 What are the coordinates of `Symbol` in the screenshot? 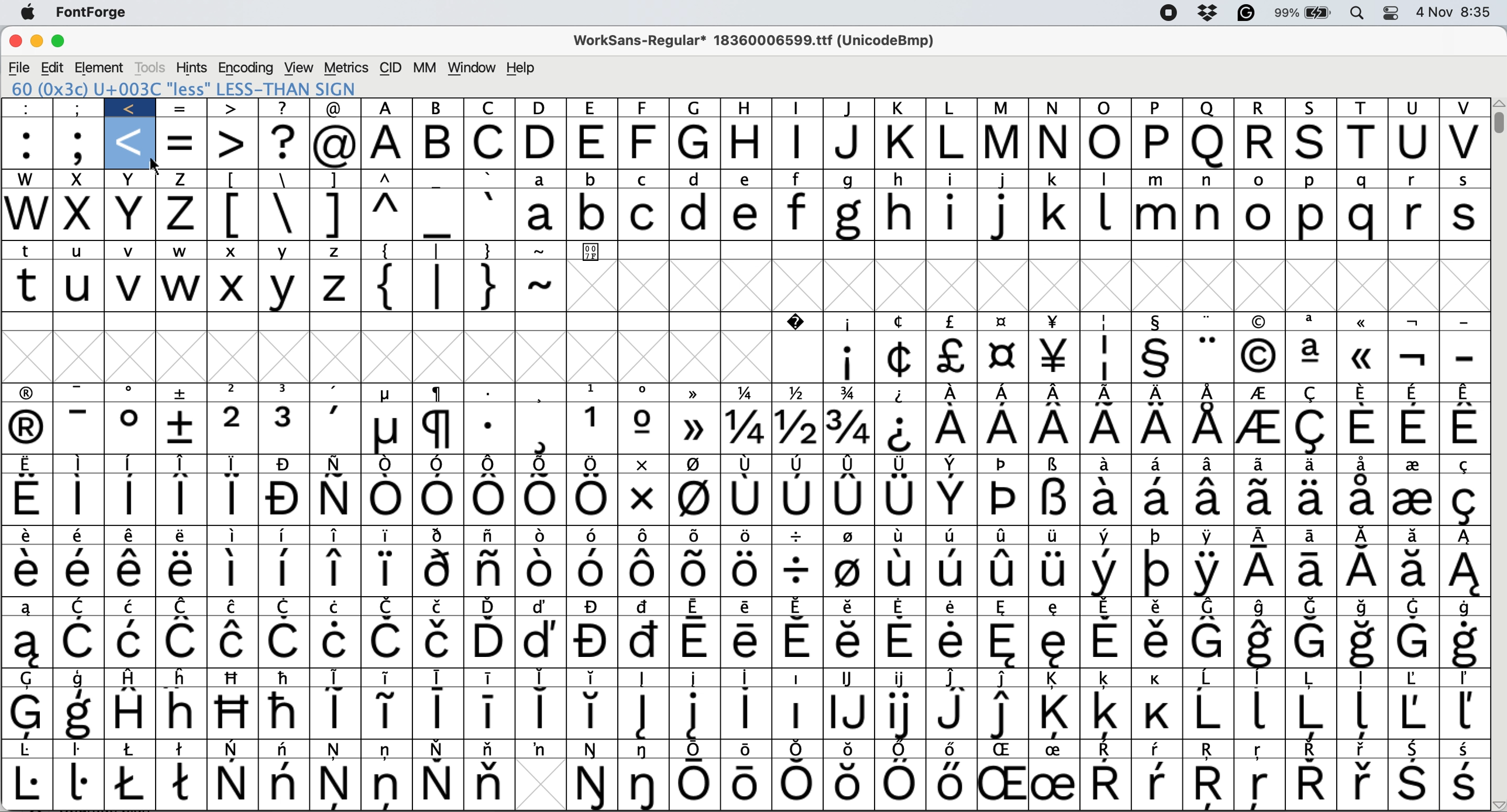 It's located at (285, 641).